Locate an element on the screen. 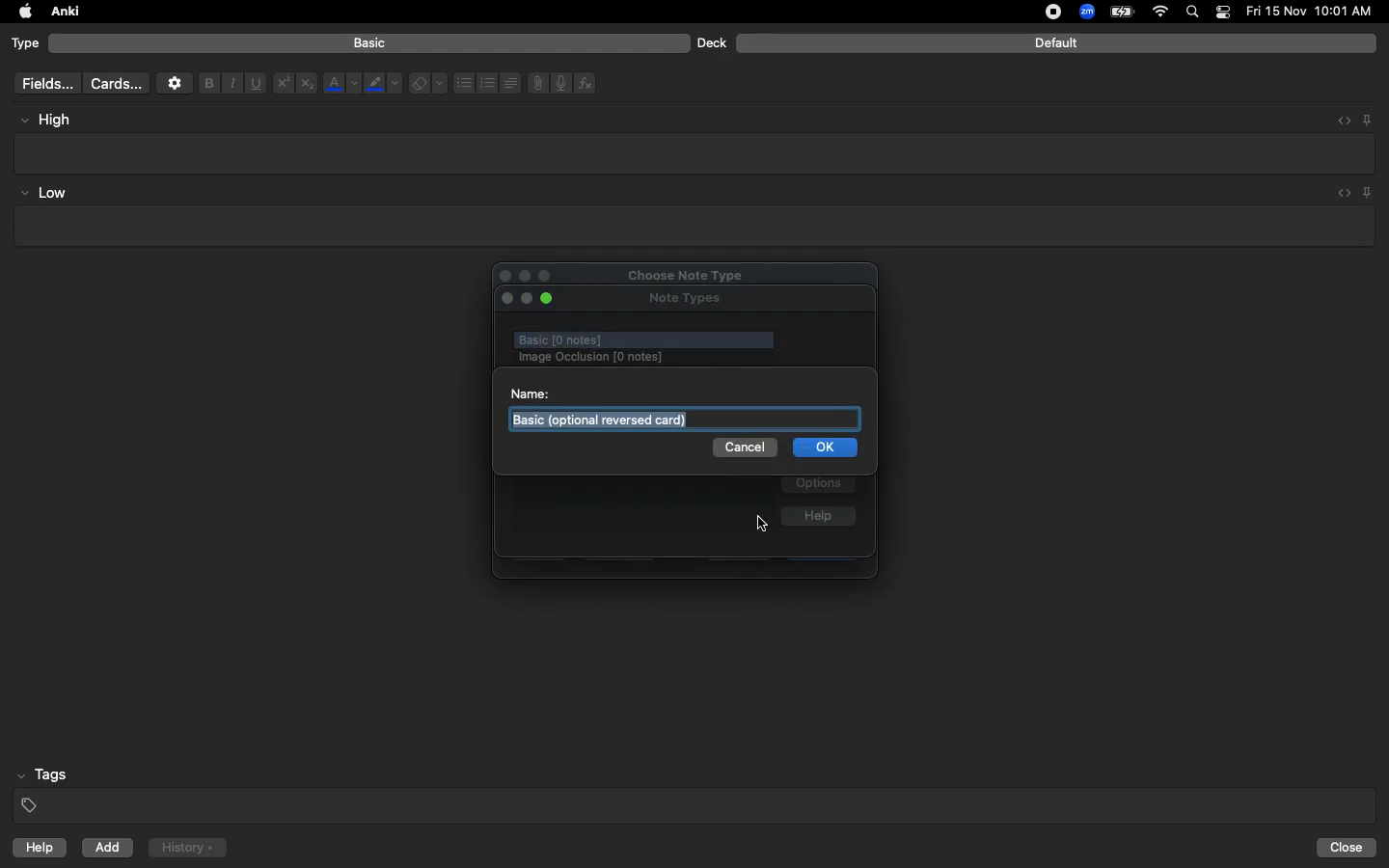 The width and height of the screenshot is (1389, 868). help is located at coordinates (818, 518).